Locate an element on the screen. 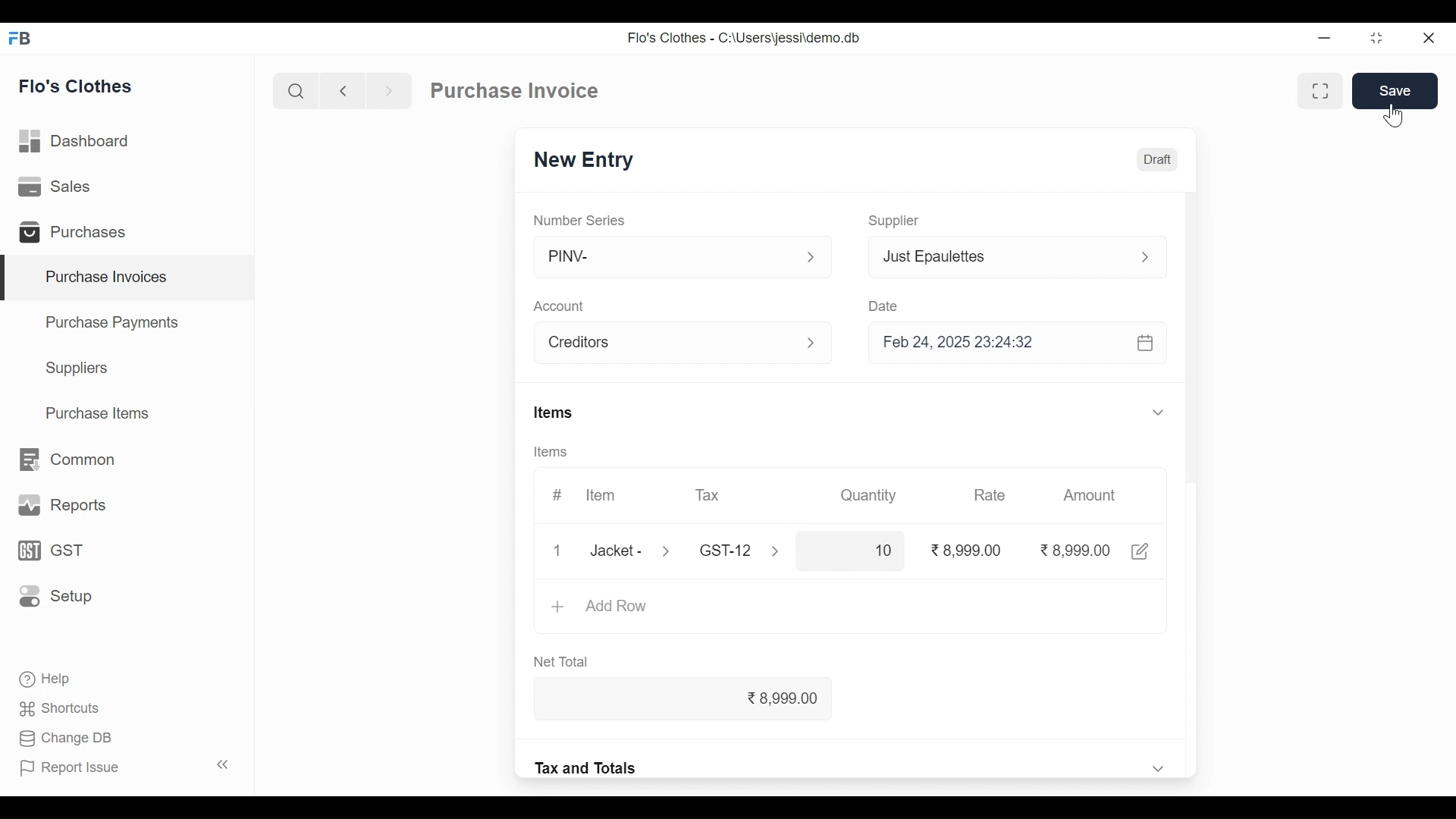 This screenshot has height=819, width=1456. Reports is located at coordinates (59, 504).